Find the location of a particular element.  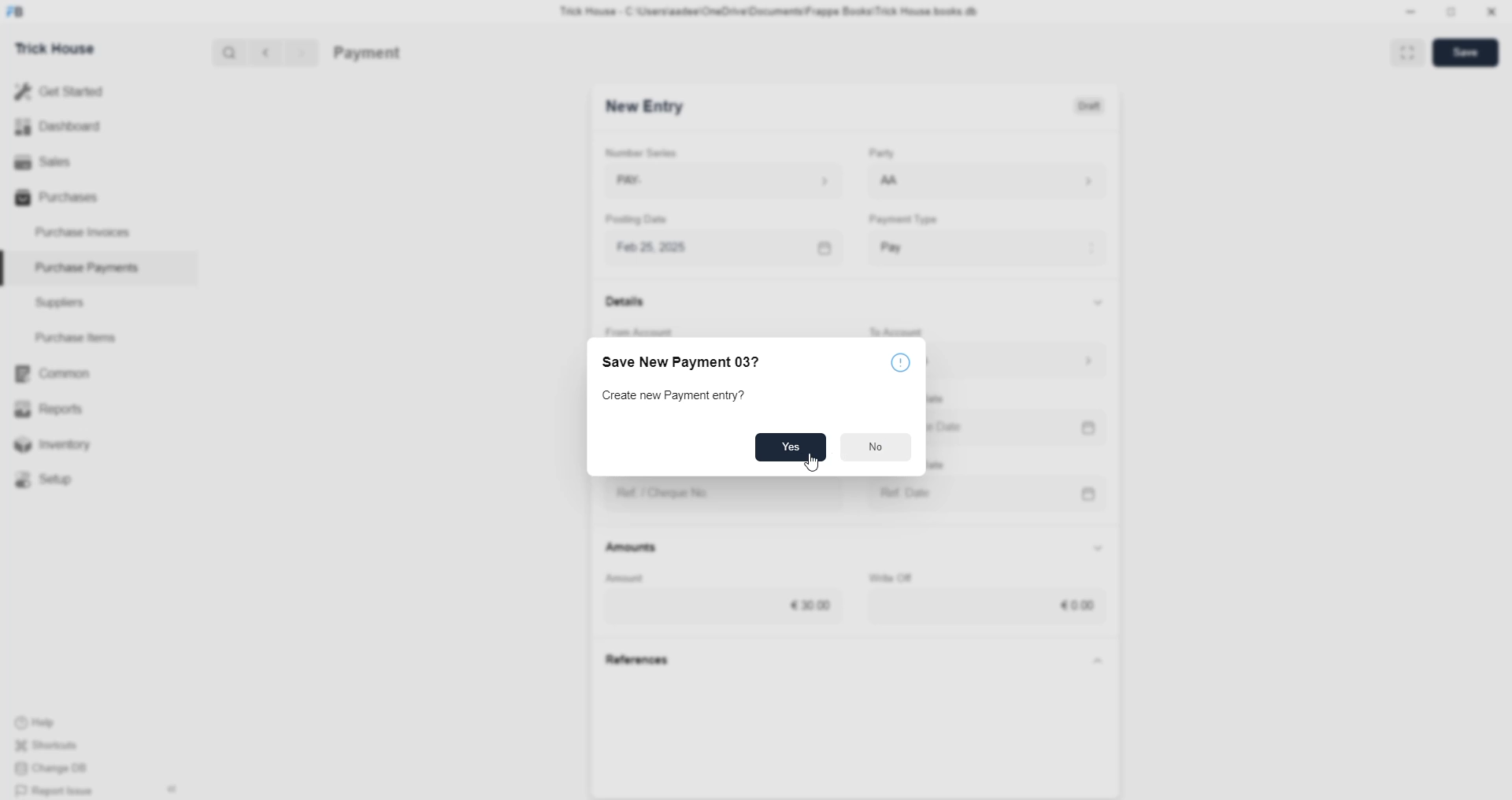

calendar is located at coordinates (821, 245).